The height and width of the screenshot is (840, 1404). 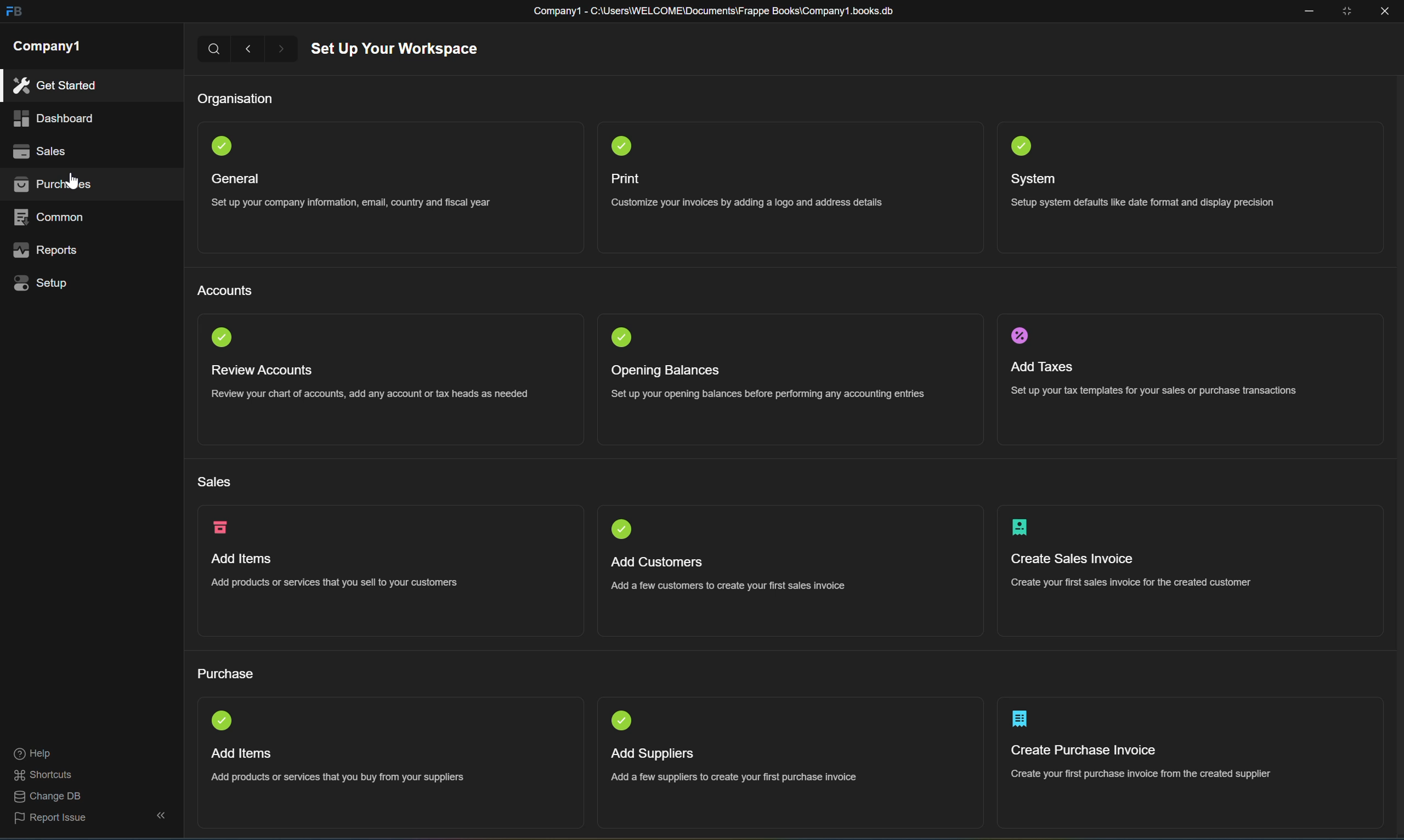 What do you see at coordinates (669, 371) in the screenshot?
I see `opening balances` at bounding box center [669, 371].